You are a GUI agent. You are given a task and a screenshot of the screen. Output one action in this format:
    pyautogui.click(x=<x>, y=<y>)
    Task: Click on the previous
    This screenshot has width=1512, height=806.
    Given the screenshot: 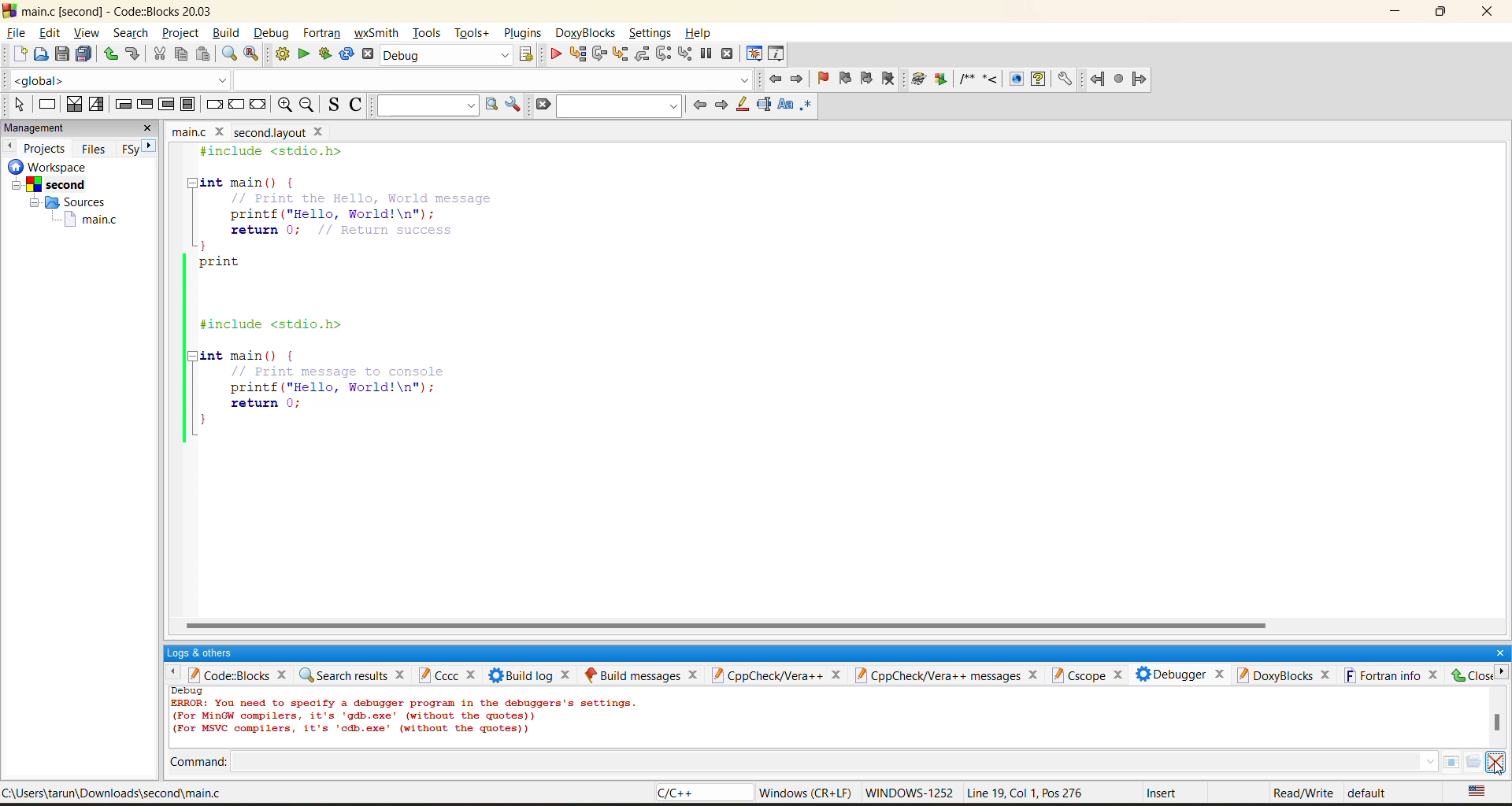 What is the action you would take?
    pyautogui.click(x=9, y=147)
    